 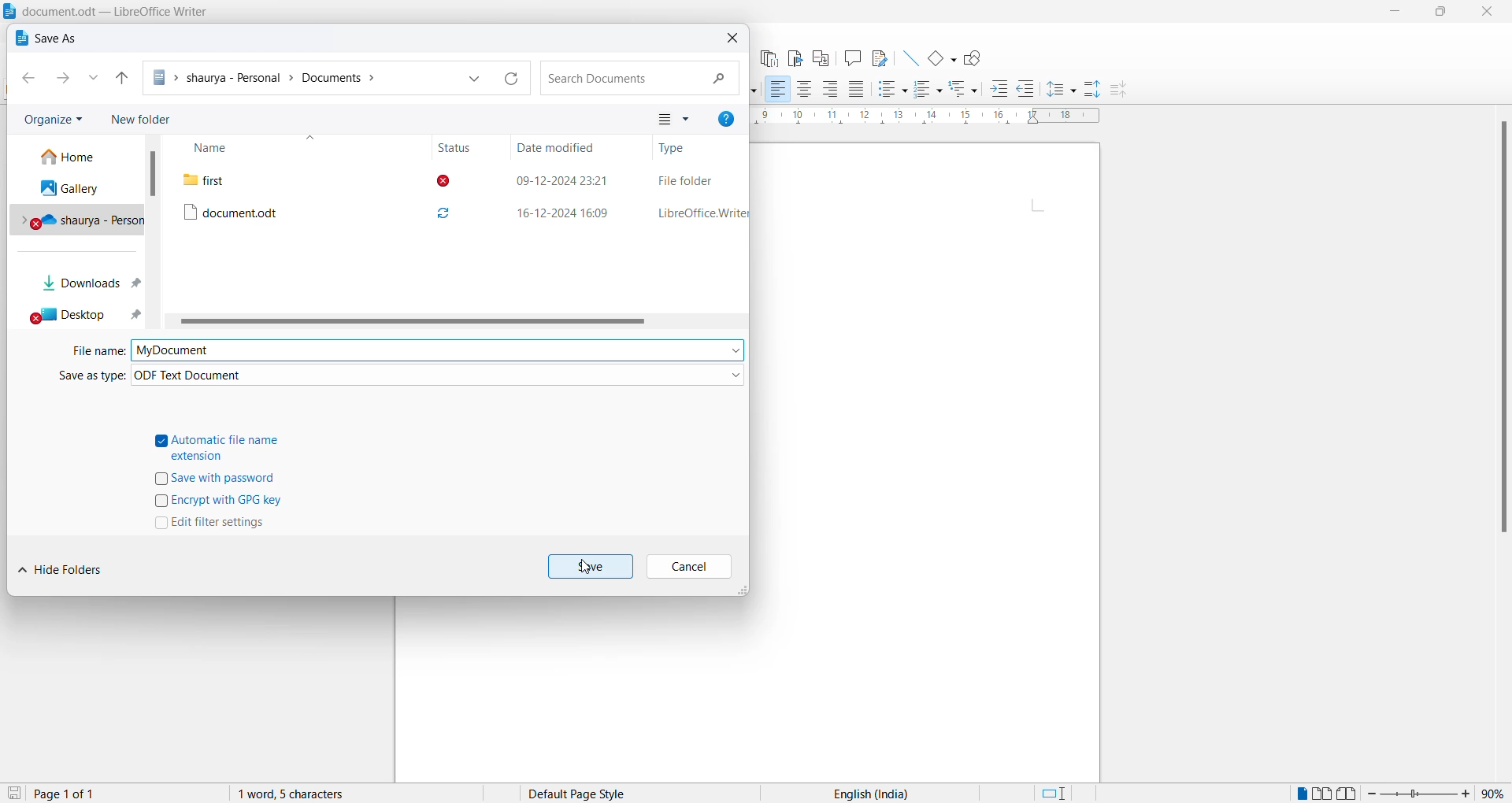 What do you see at coordinates (89, 287) in the screenshot?
I see `Downloads` at bounding box center [89, 287].